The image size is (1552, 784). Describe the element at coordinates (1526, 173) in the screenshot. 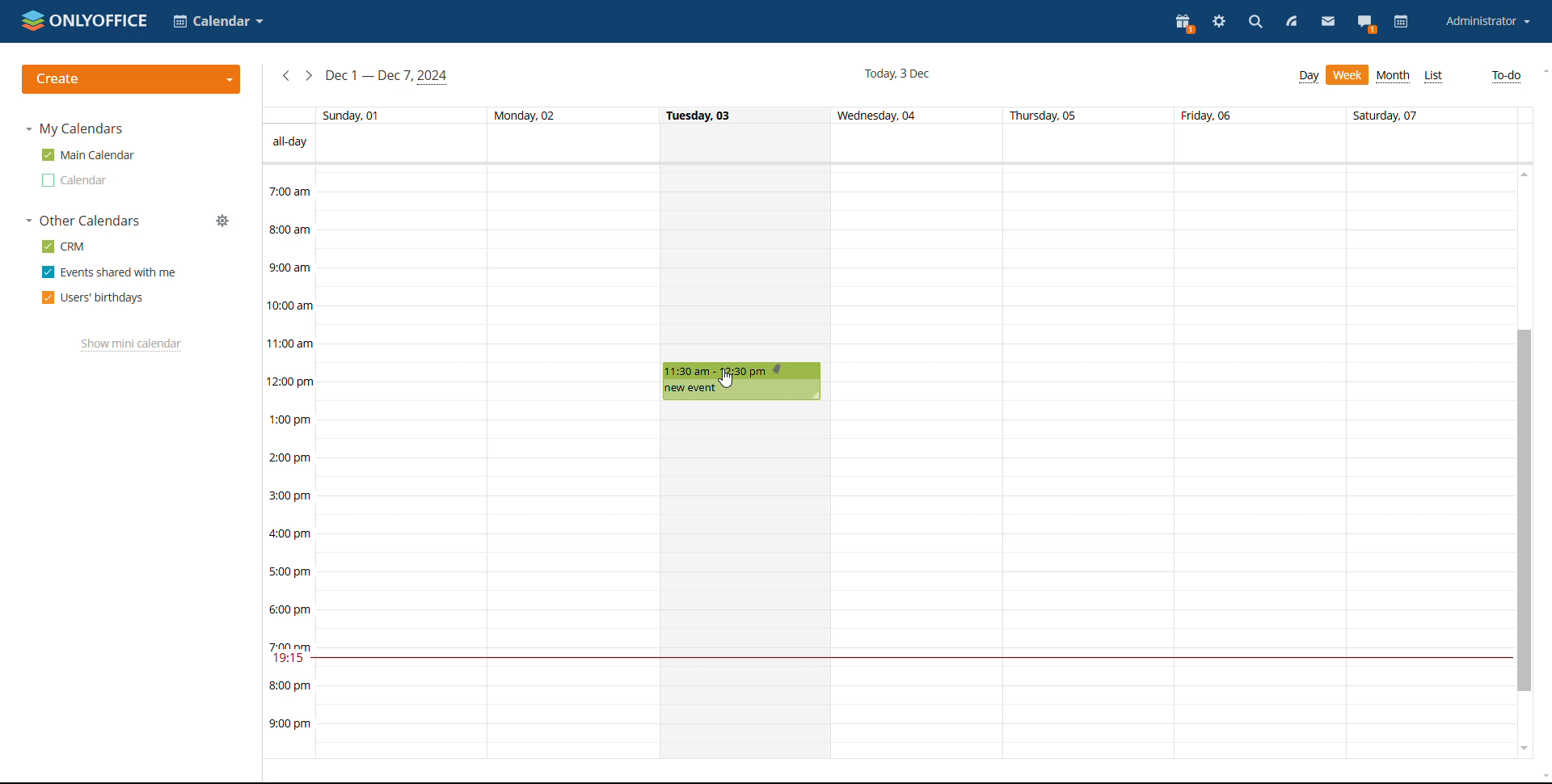

I see `scroll  up` at that location.